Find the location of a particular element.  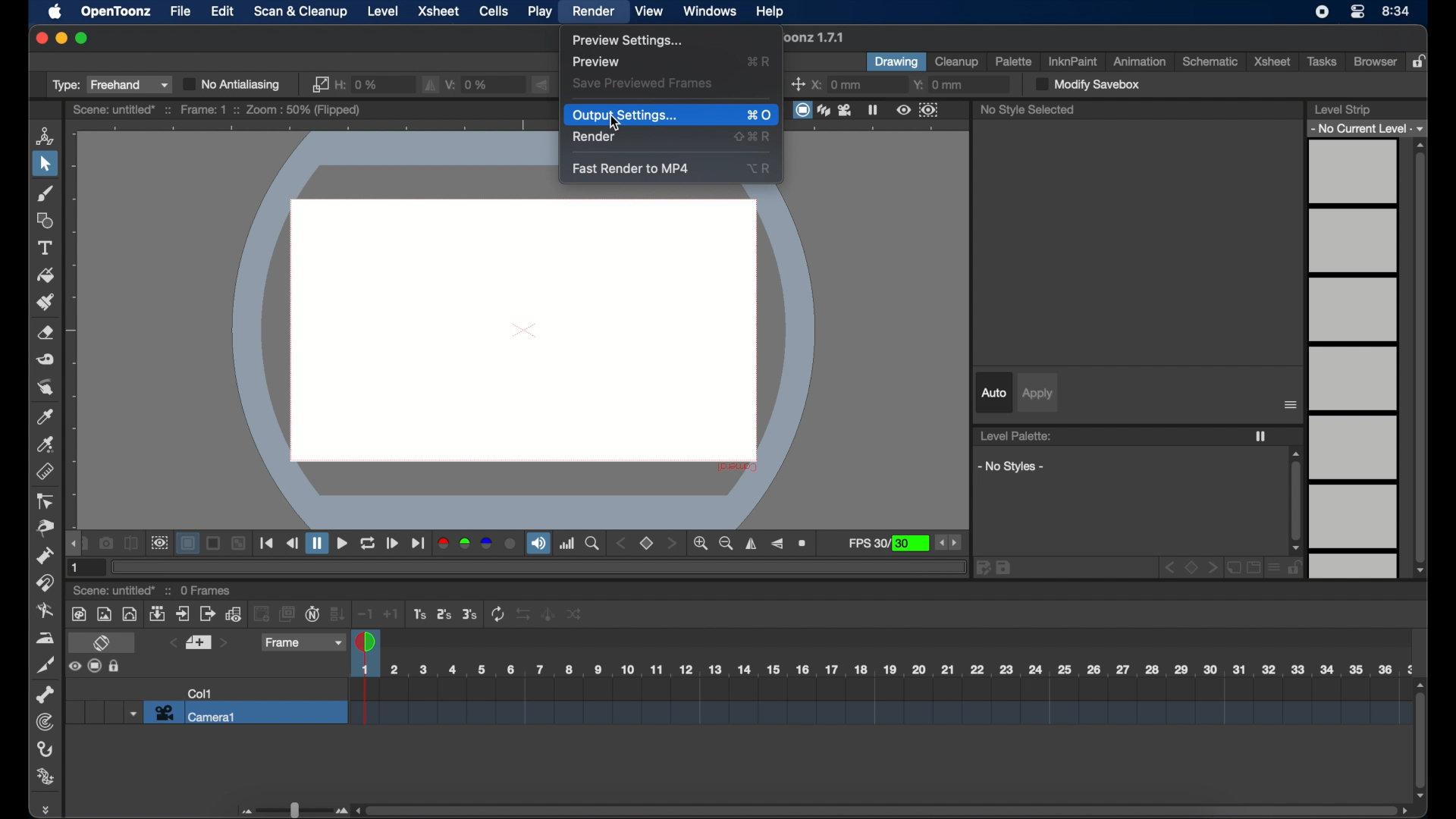

 is located at coordinates (95, 666).